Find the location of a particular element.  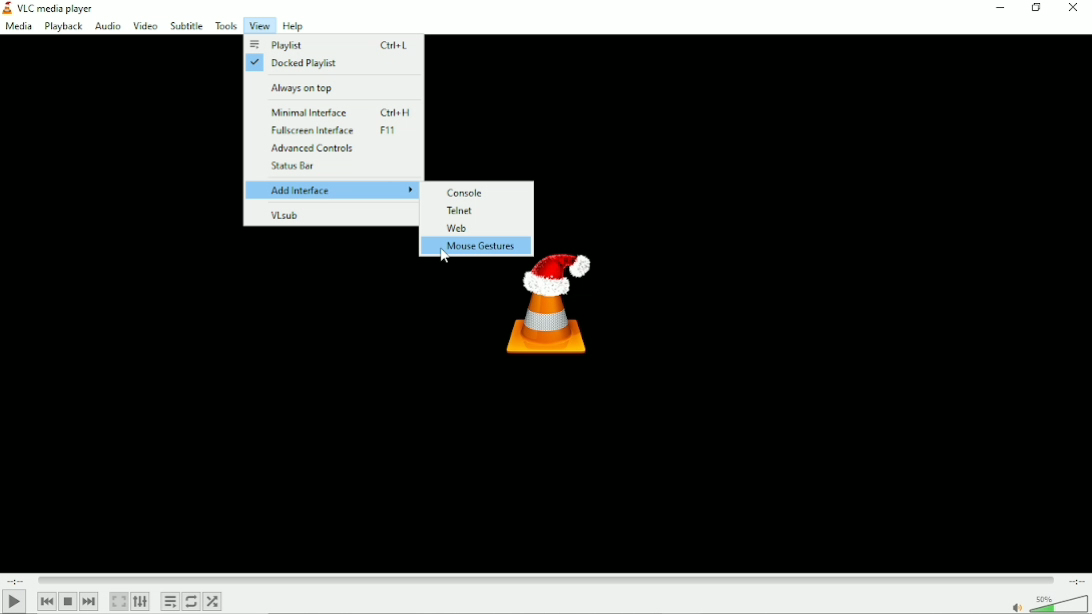

Elapsed time is located at coordinates (16, 580).